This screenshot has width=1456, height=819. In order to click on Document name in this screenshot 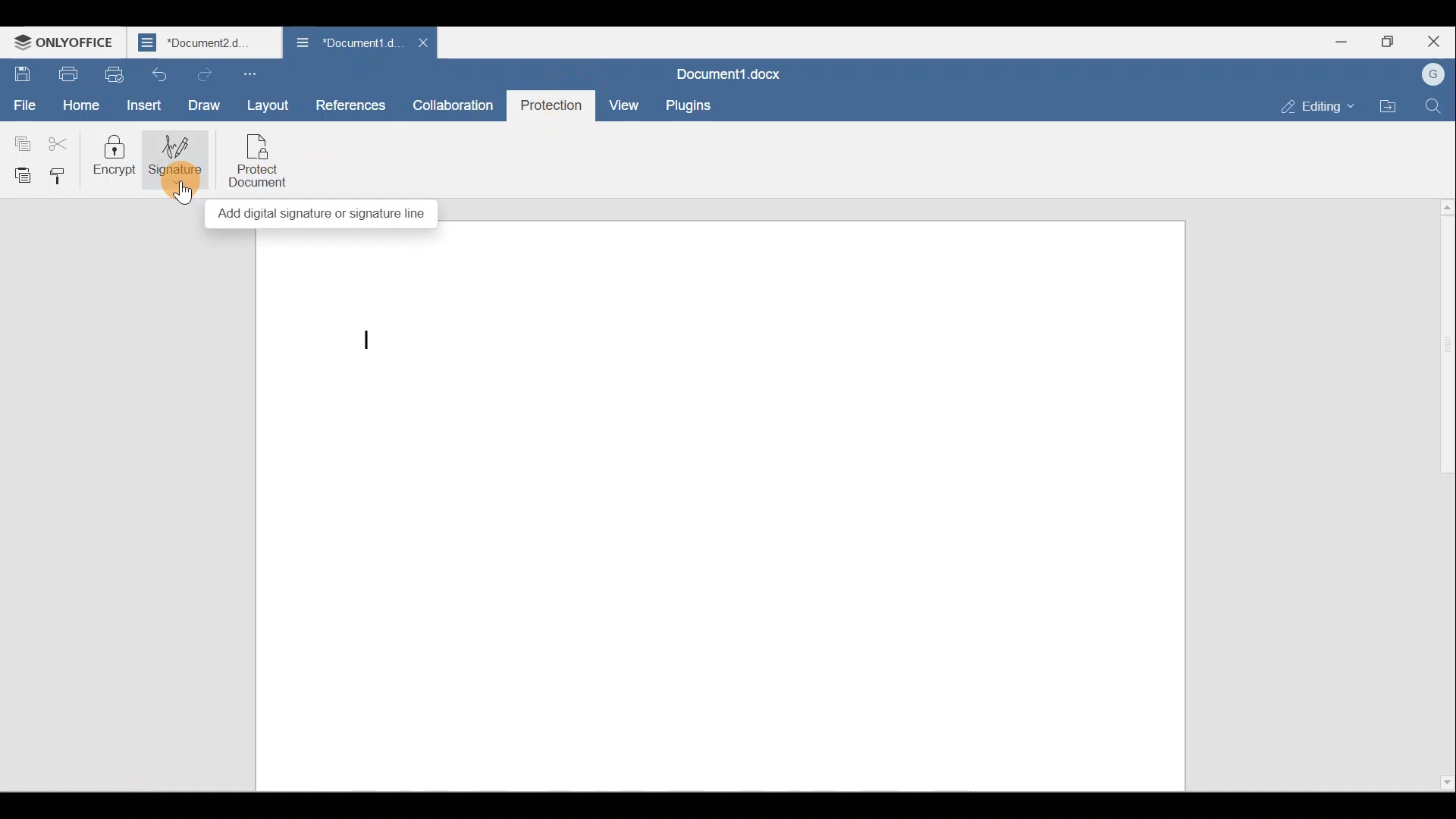, I will do `click(727, 72)`.